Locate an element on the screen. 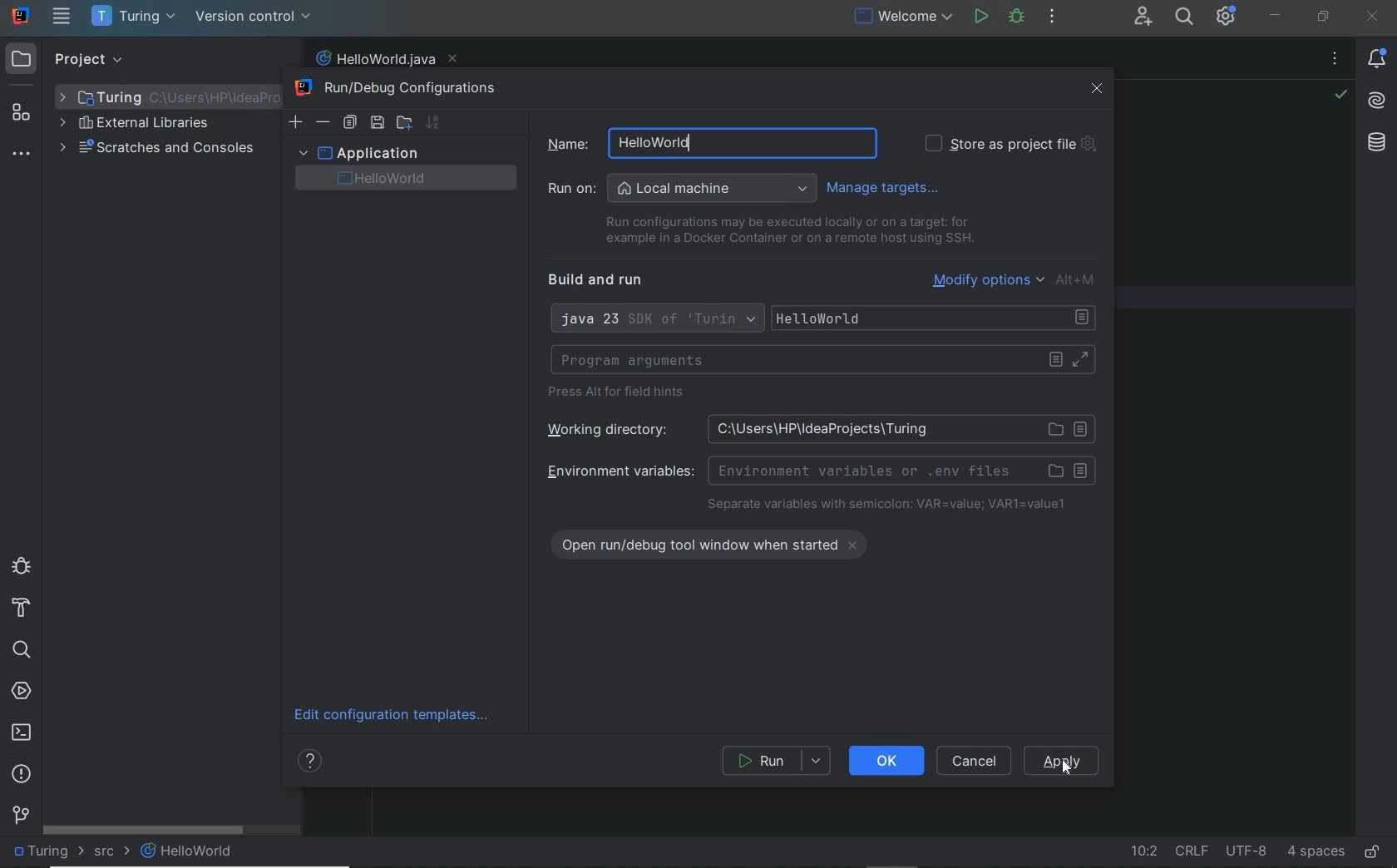  Name is located at coordinates (702, 142).